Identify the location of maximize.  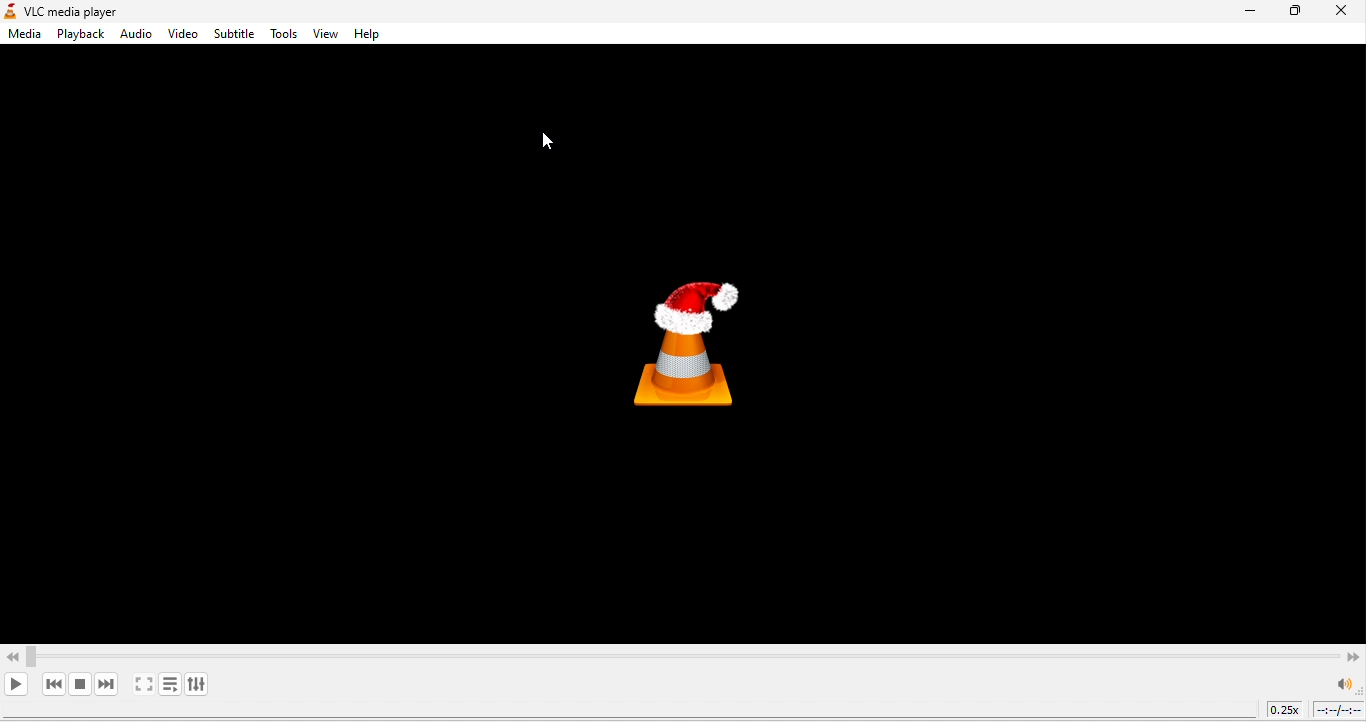
(1296, 13).